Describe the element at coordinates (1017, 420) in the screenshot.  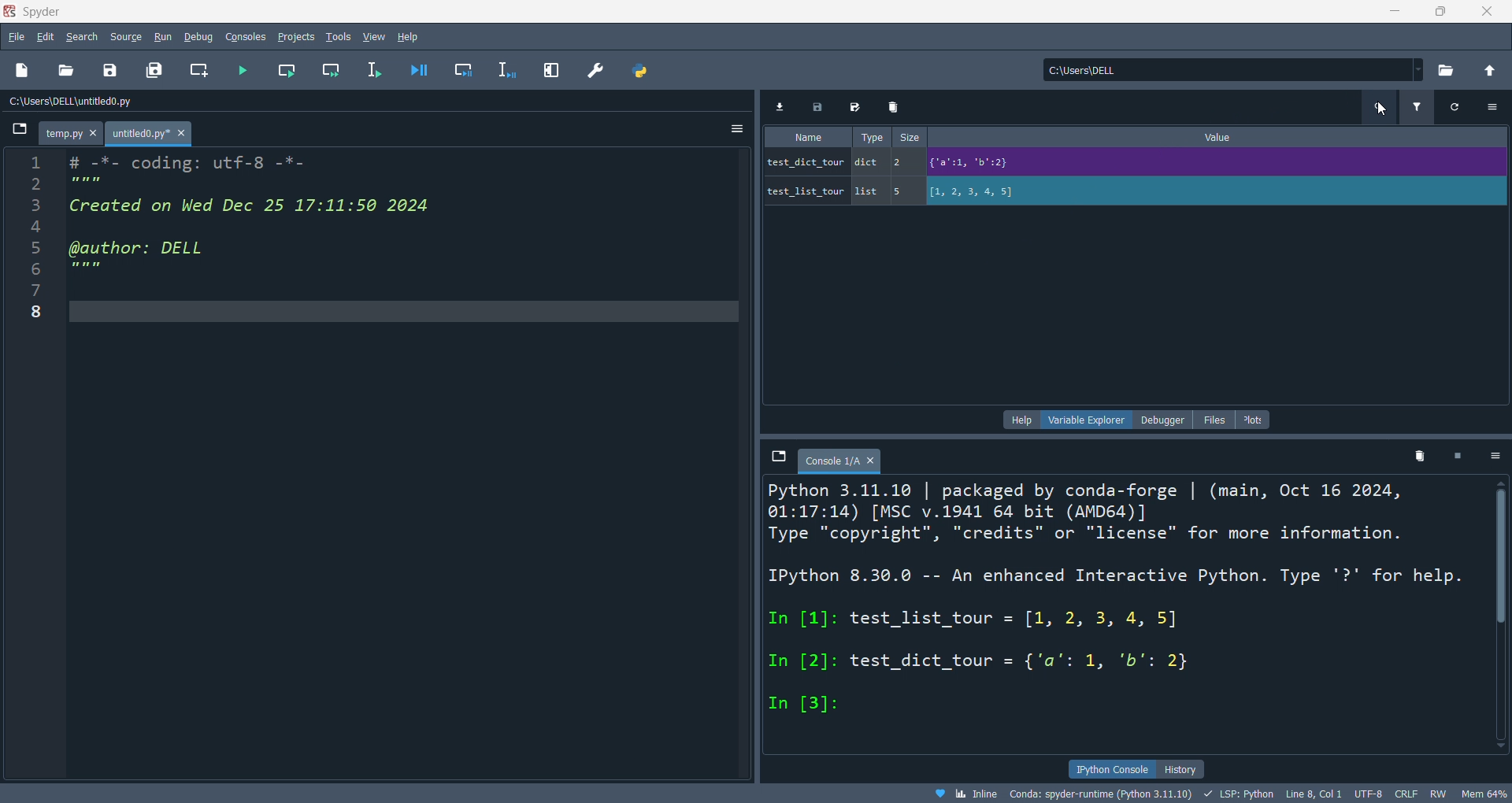
I see `hlep` at that location.